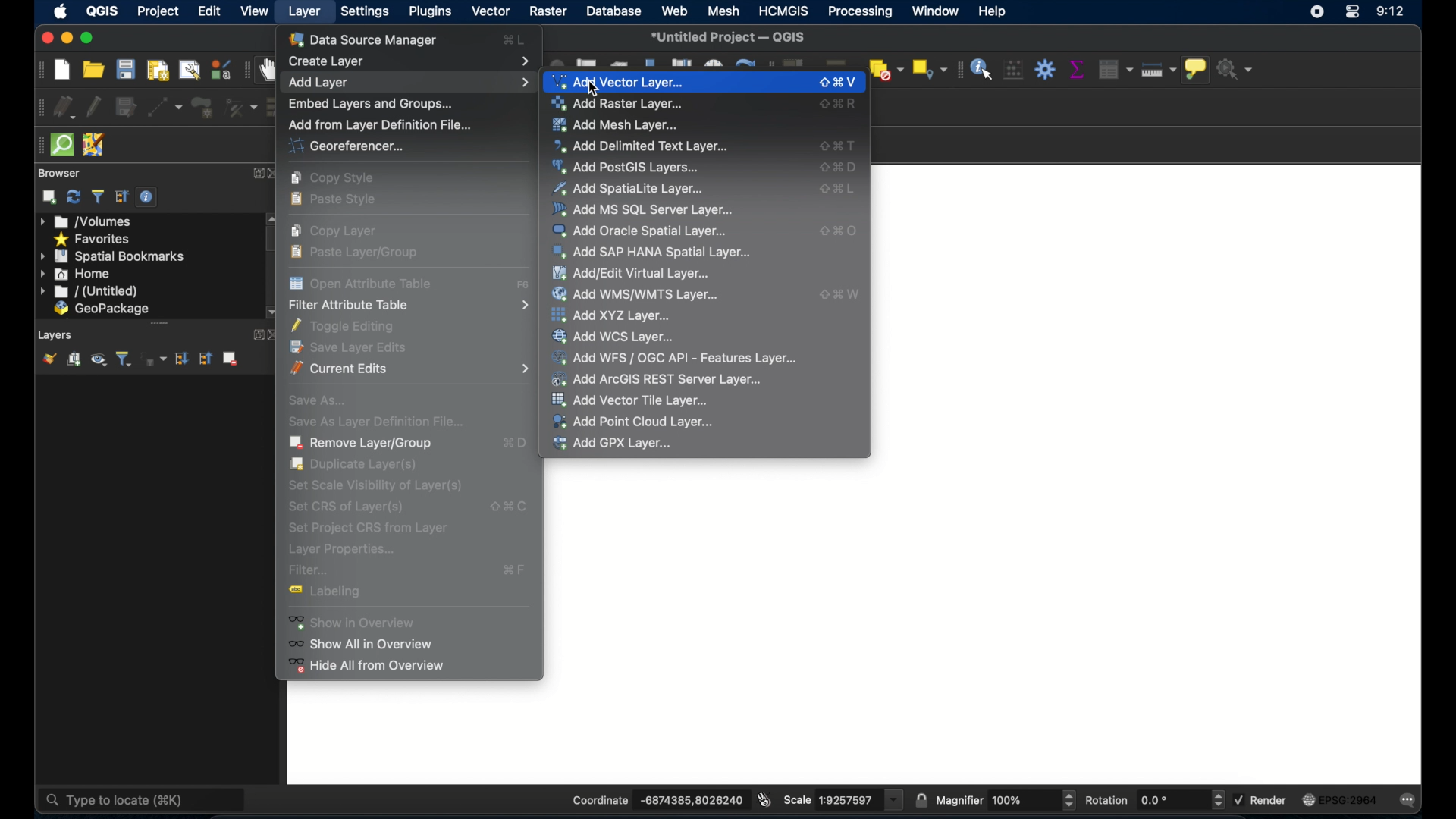 This screenshot has height=819, width=1456. What do you see at coordinates (103, 11) in the screenshot?
I see `QGIS` at bounding box center [103, 11].